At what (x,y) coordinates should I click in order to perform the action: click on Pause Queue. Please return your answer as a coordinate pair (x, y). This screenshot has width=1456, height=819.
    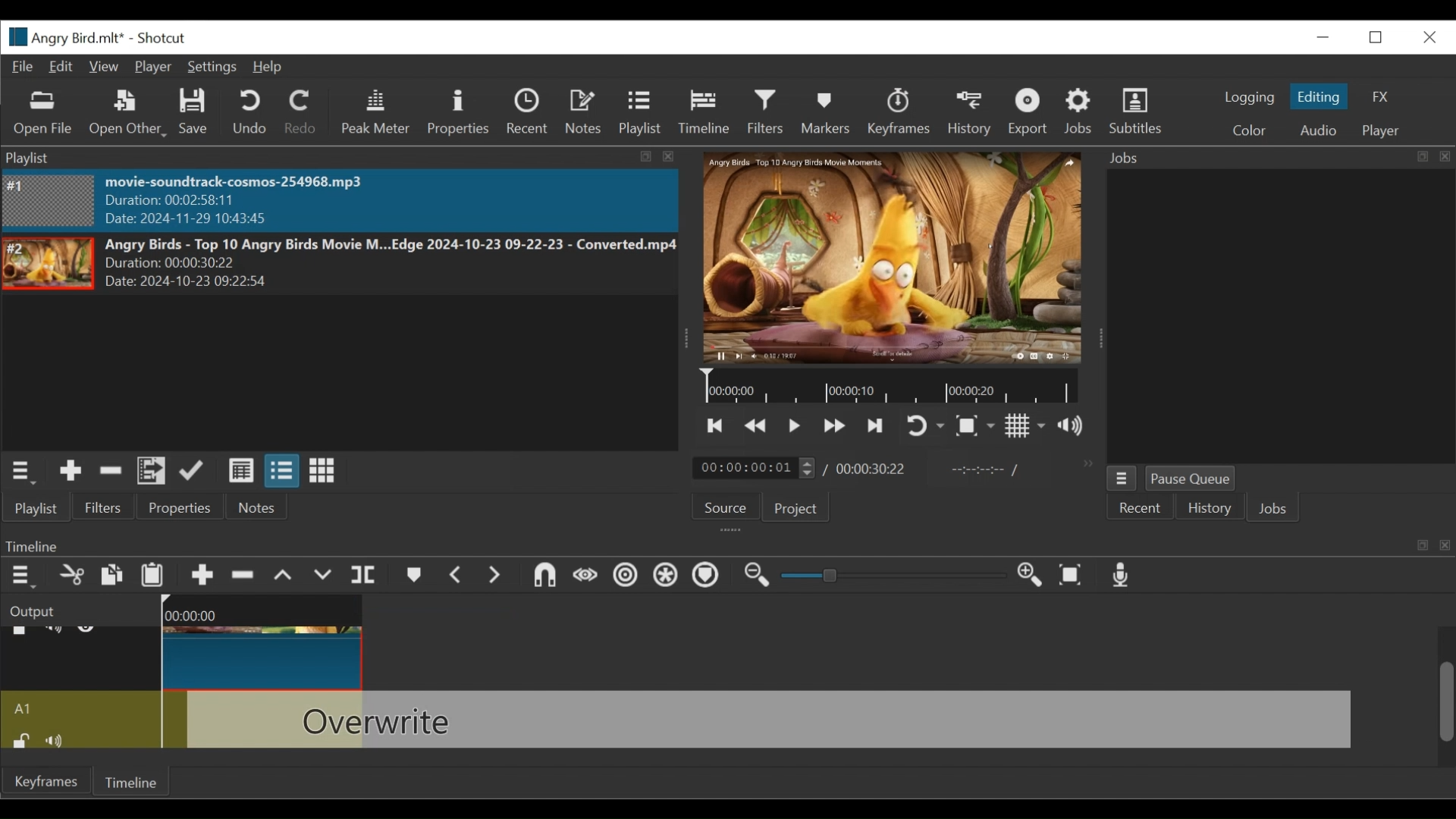
    Looking at the image, I should click on (1195, 479).